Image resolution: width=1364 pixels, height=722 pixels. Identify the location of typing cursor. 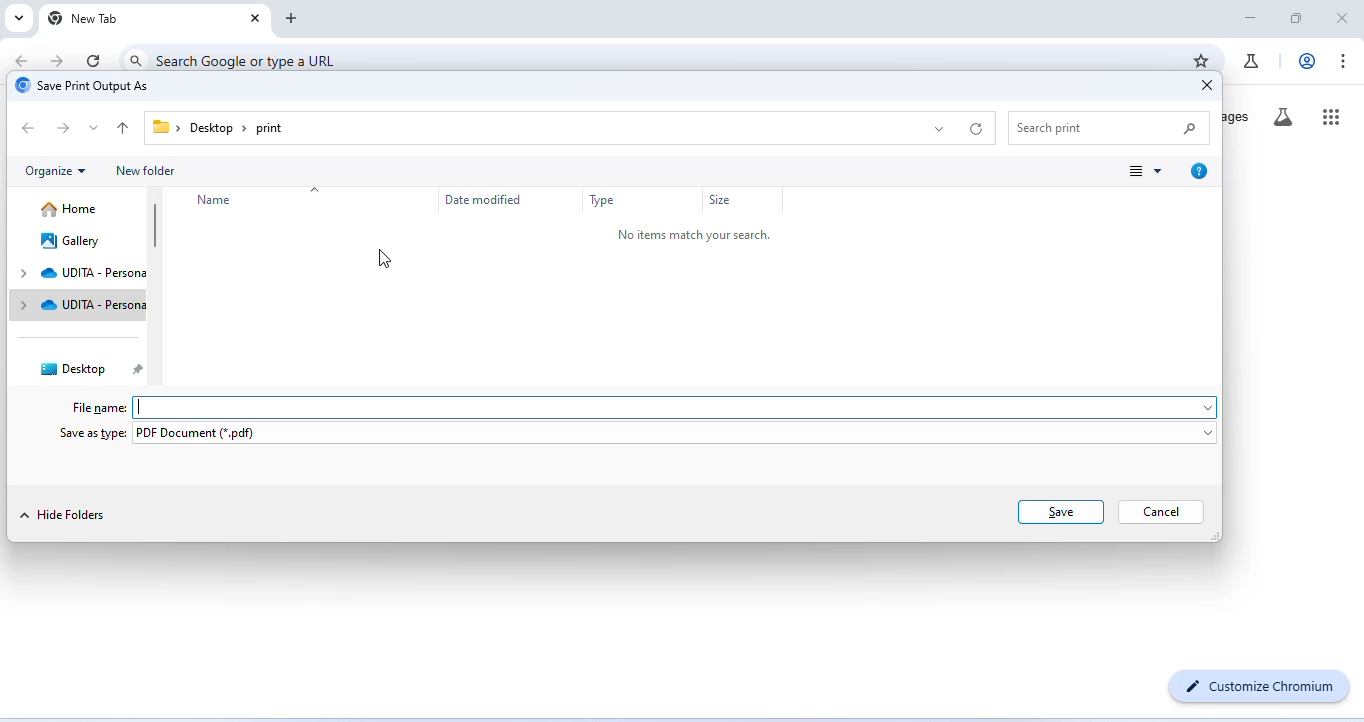
(142, 407).